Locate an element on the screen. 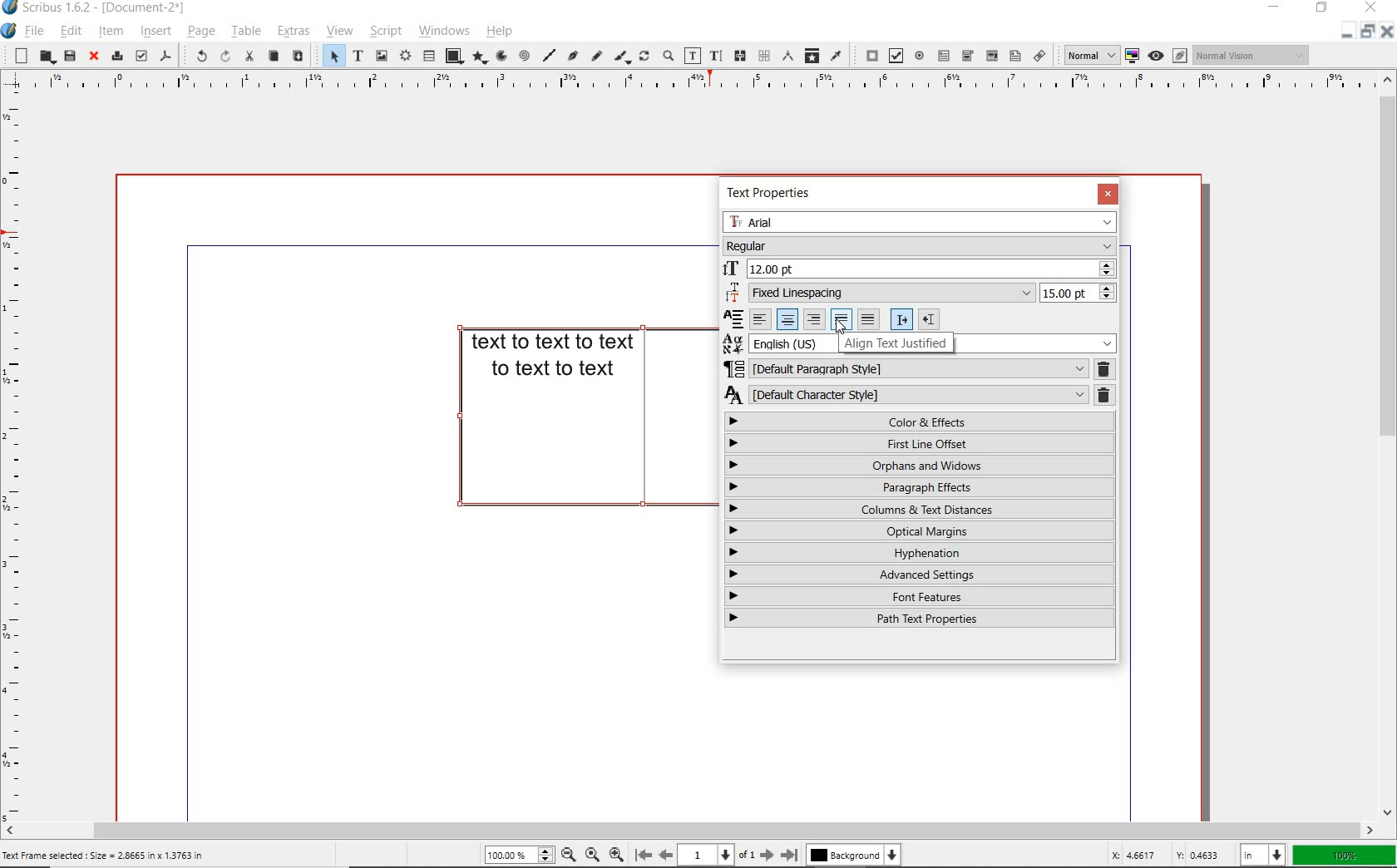 This screenshot has height=868, width=1397. view is located at coordinates (338, 31).